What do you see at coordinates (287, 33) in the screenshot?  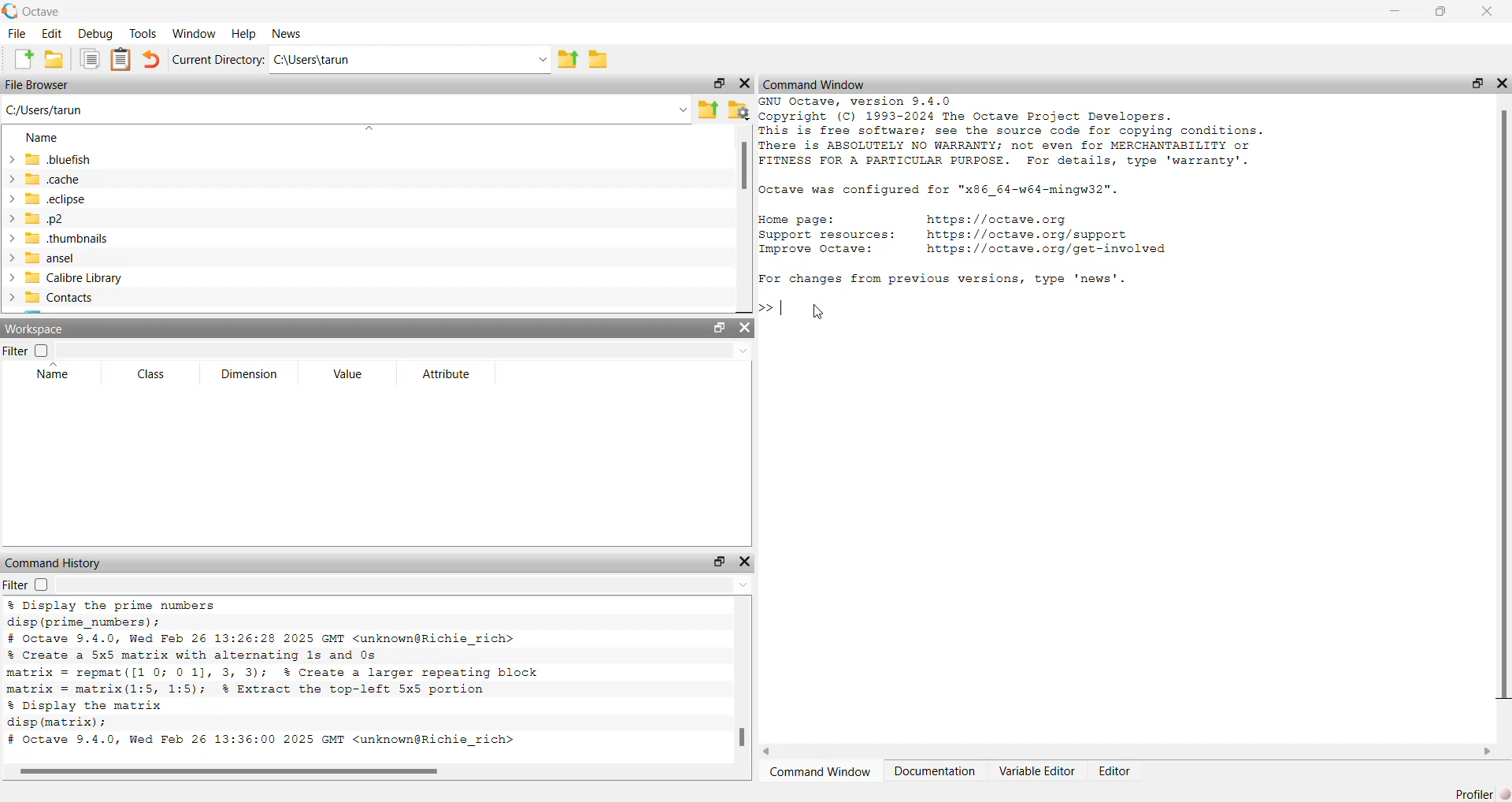 I see `news` at bounding box center [287, 33].